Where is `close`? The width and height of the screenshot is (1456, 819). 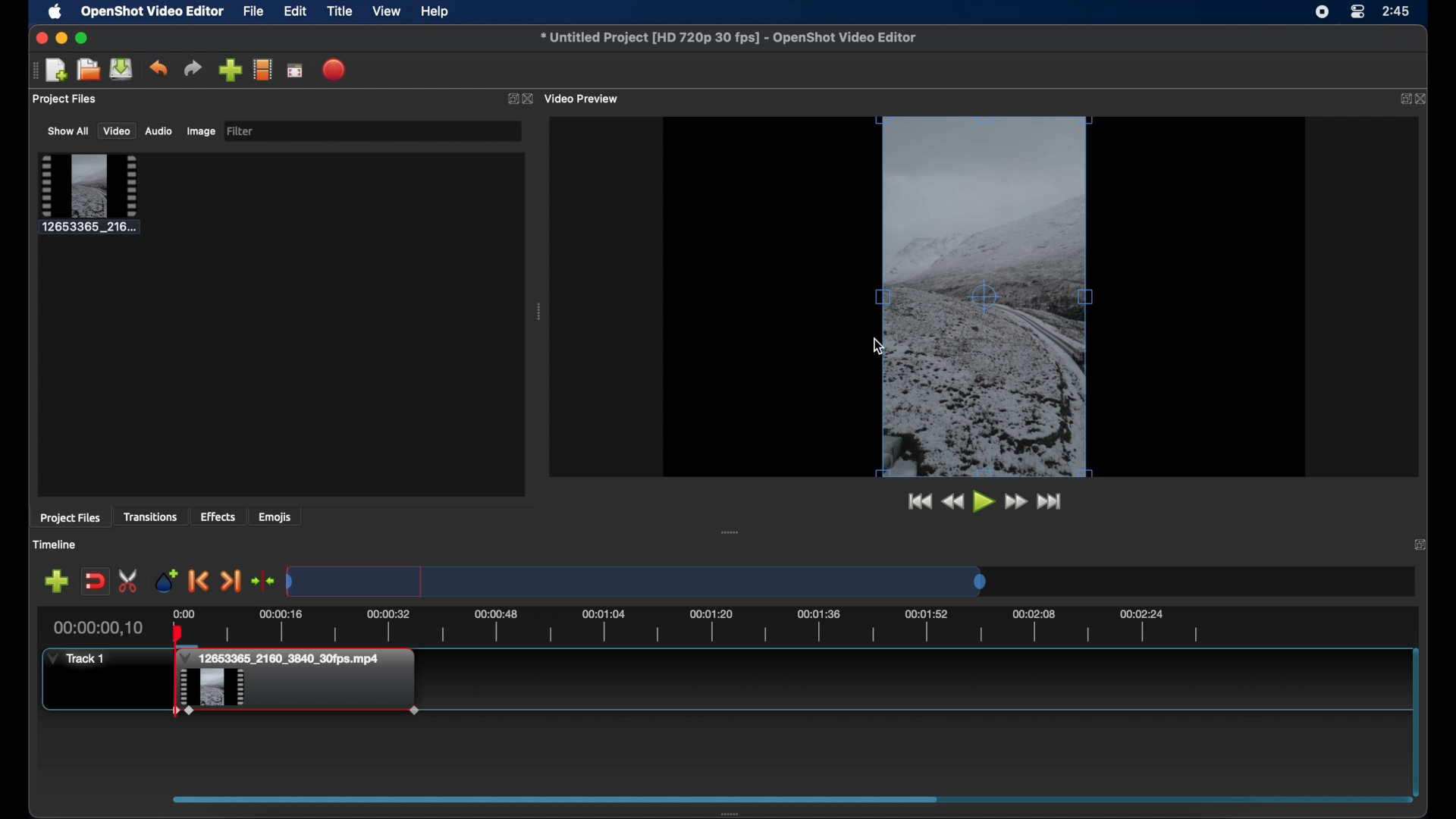 close is located at coordinates (1421, 544).